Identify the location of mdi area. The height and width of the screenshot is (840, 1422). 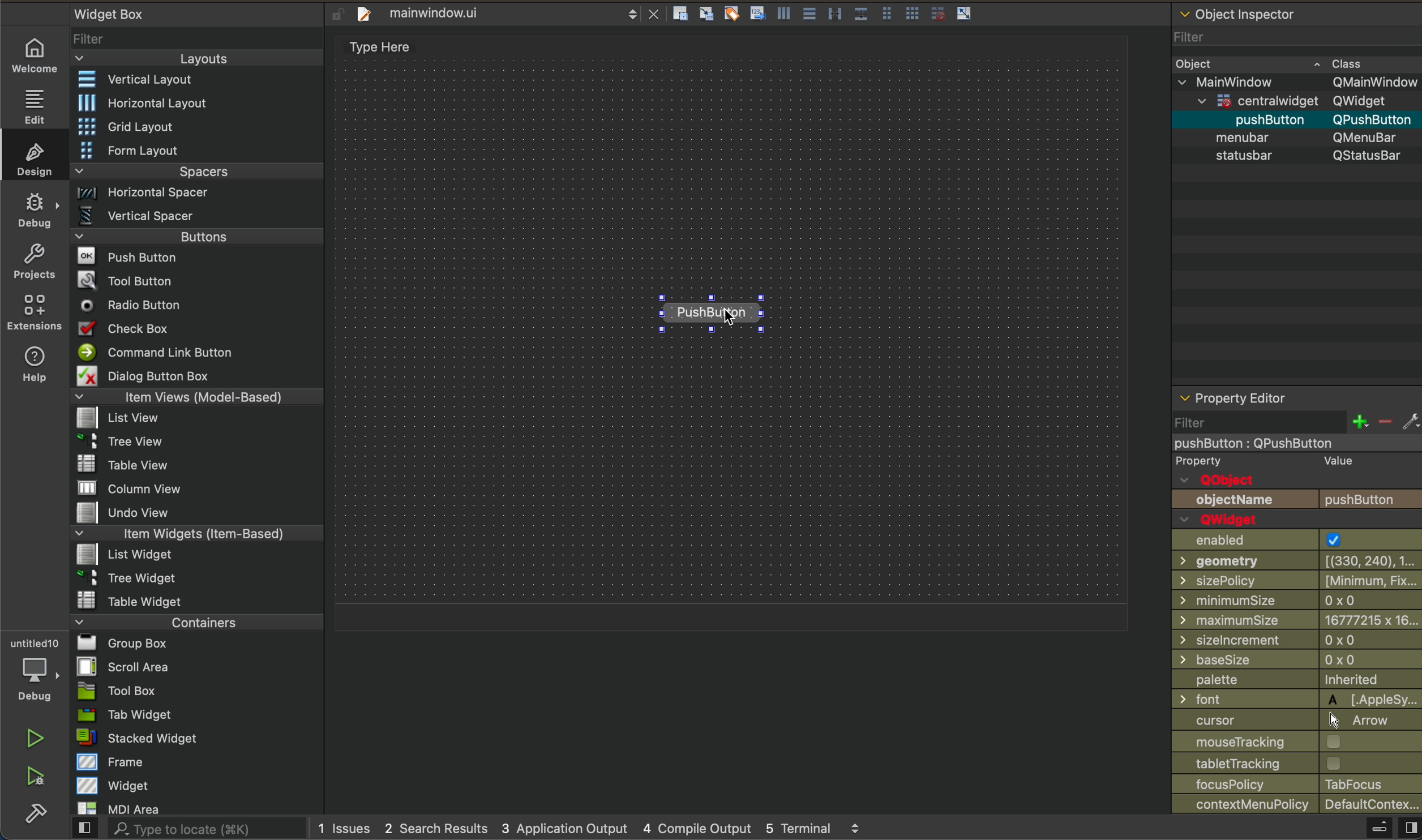
(194, 808).